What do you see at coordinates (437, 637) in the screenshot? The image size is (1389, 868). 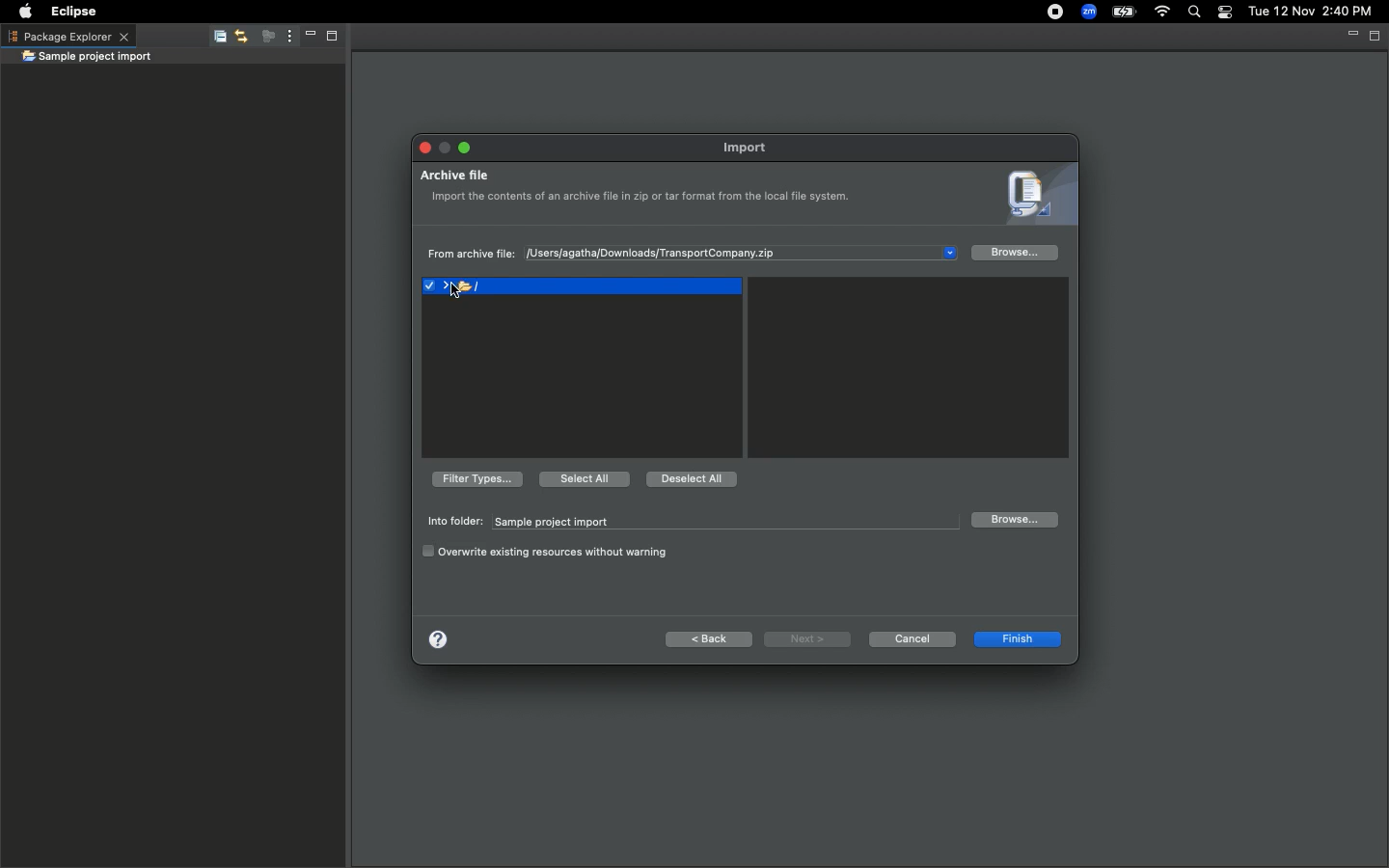 I see `Help` at bounding box center [437, 637].